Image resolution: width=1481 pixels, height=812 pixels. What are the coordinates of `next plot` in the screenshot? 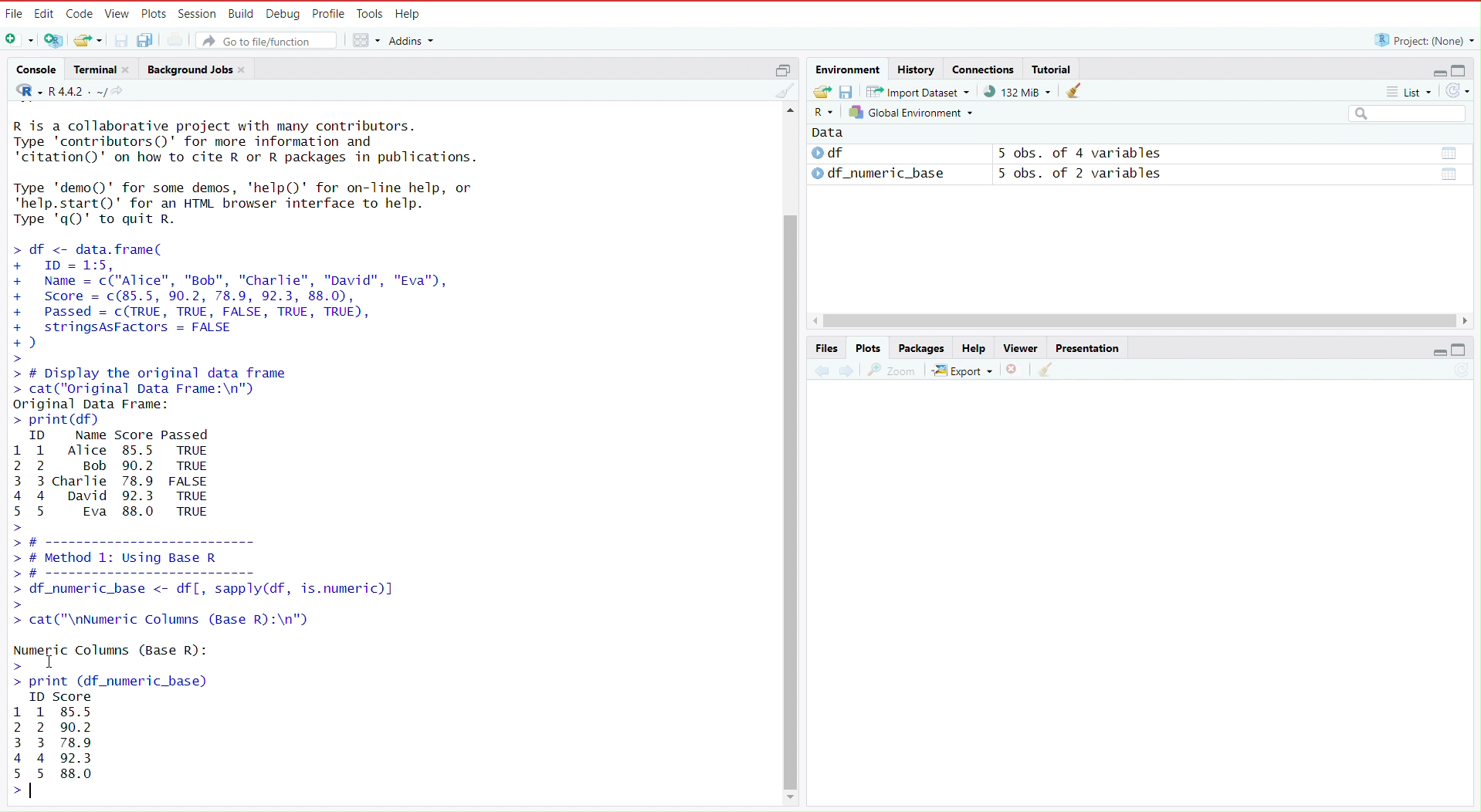 It's located at (843, 370).